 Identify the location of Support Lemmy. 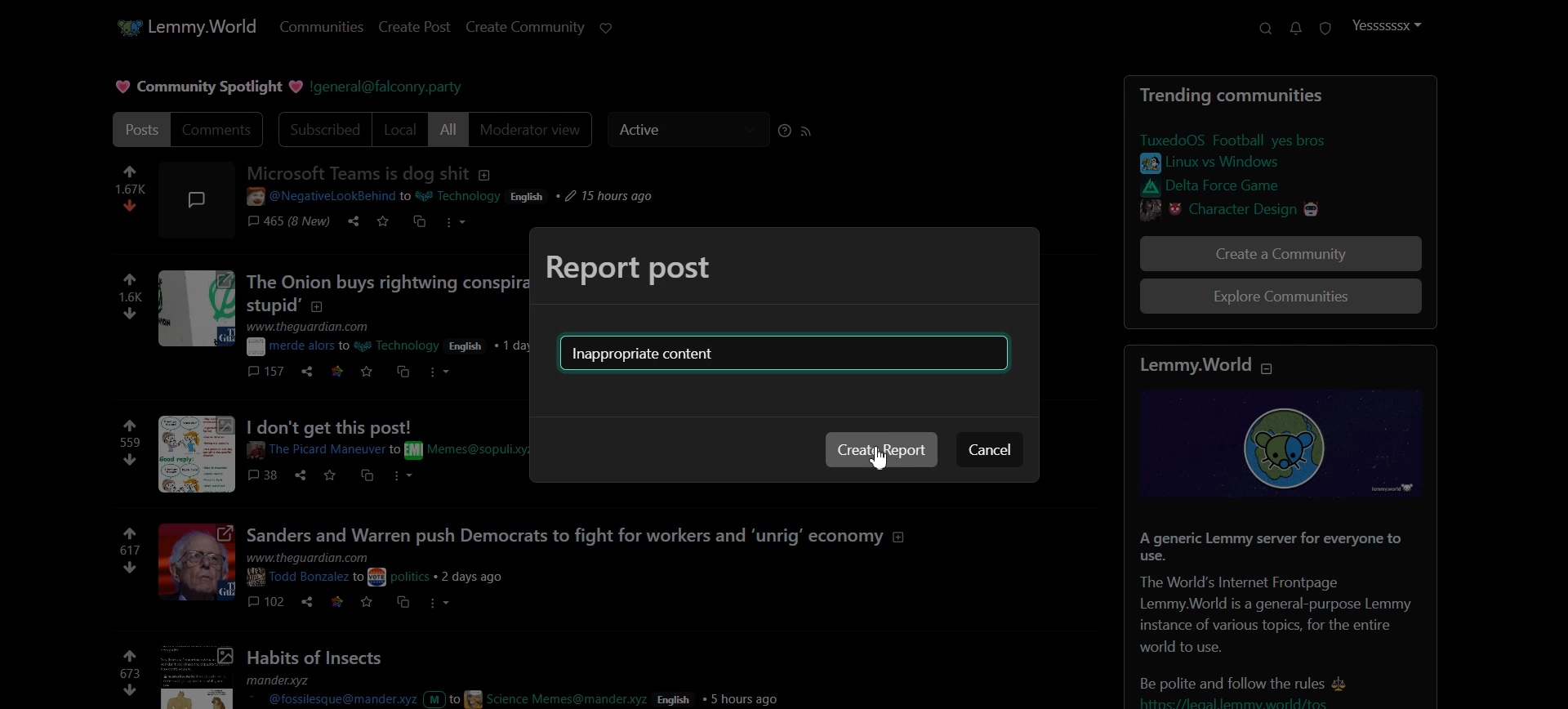
(606, 29).